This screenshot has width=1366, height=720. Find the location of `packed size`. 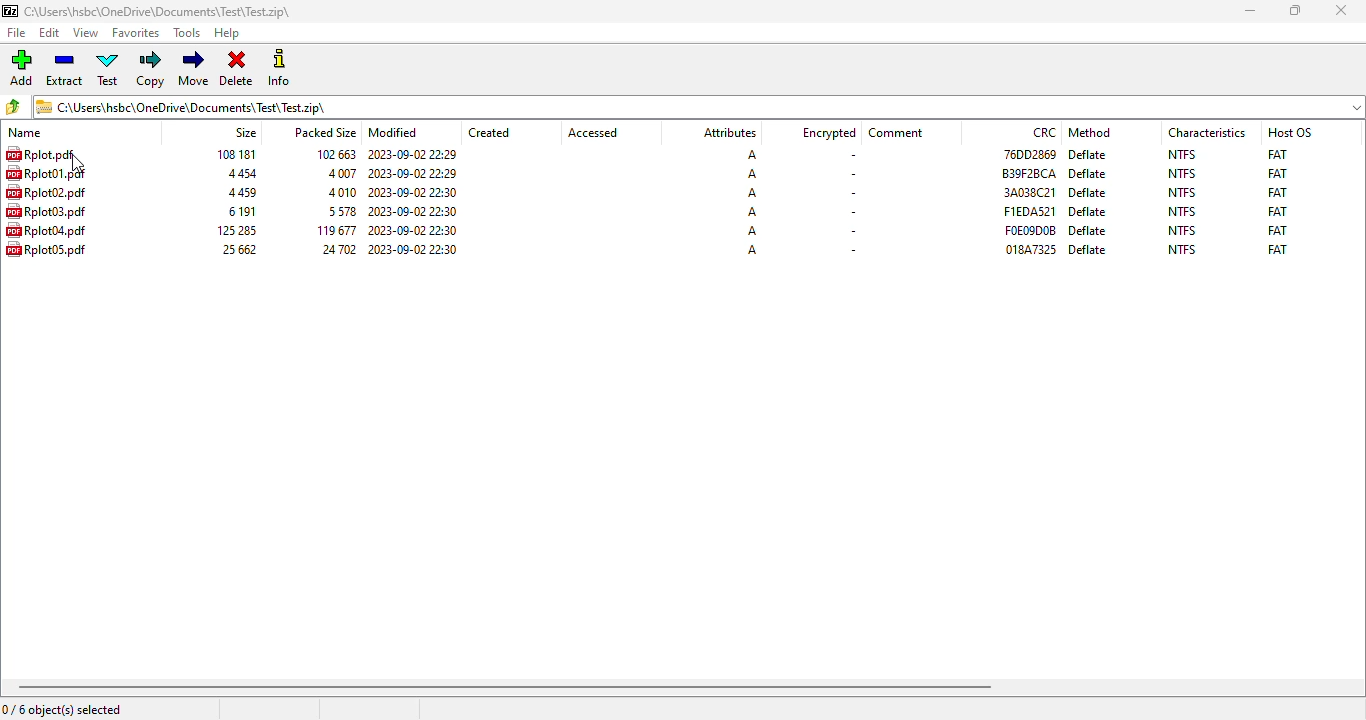

packed size is located at coordinates (333, 230).